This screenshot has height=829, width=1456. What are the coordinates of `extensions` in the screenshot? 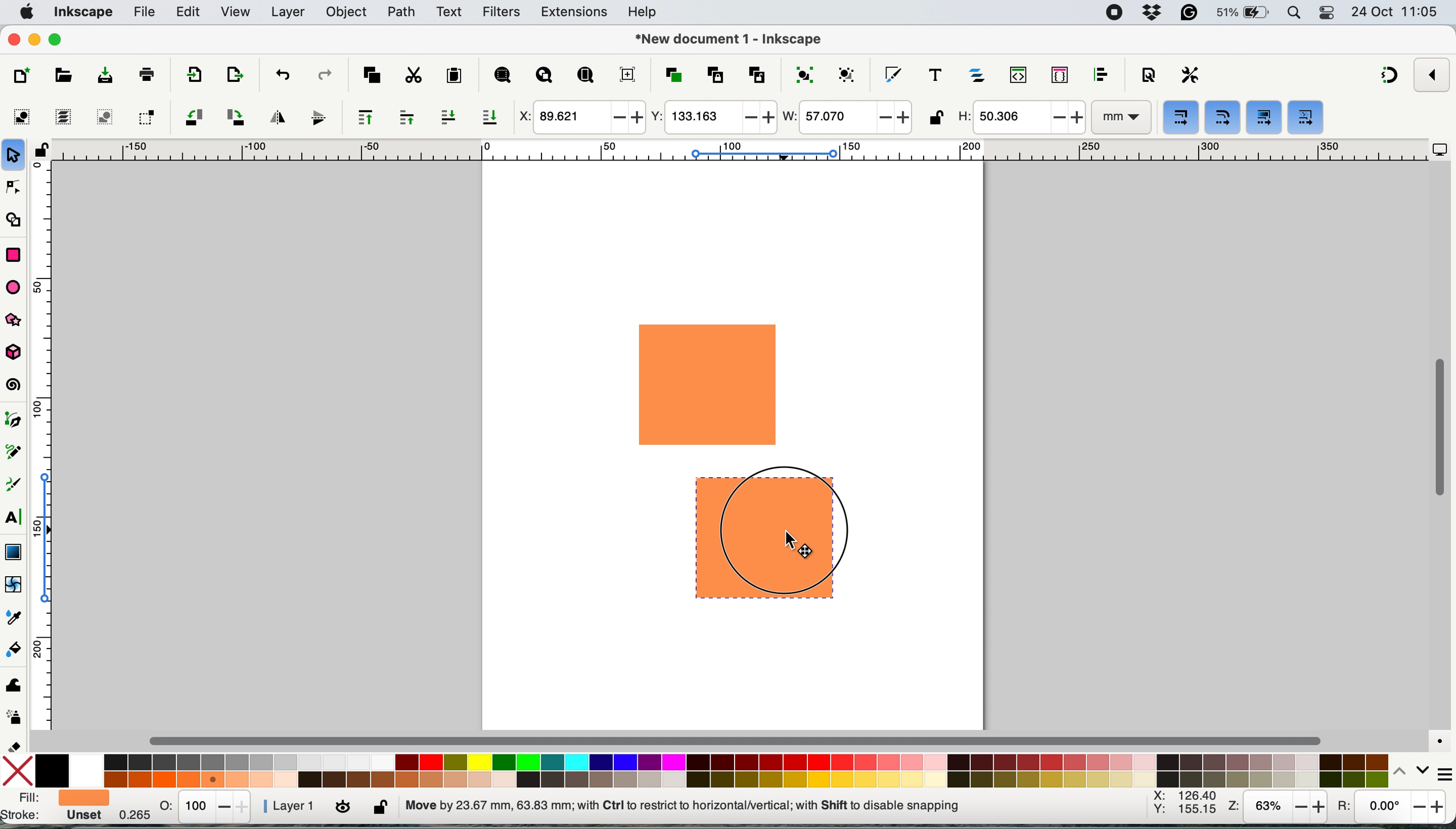 It's located at (576, 13).